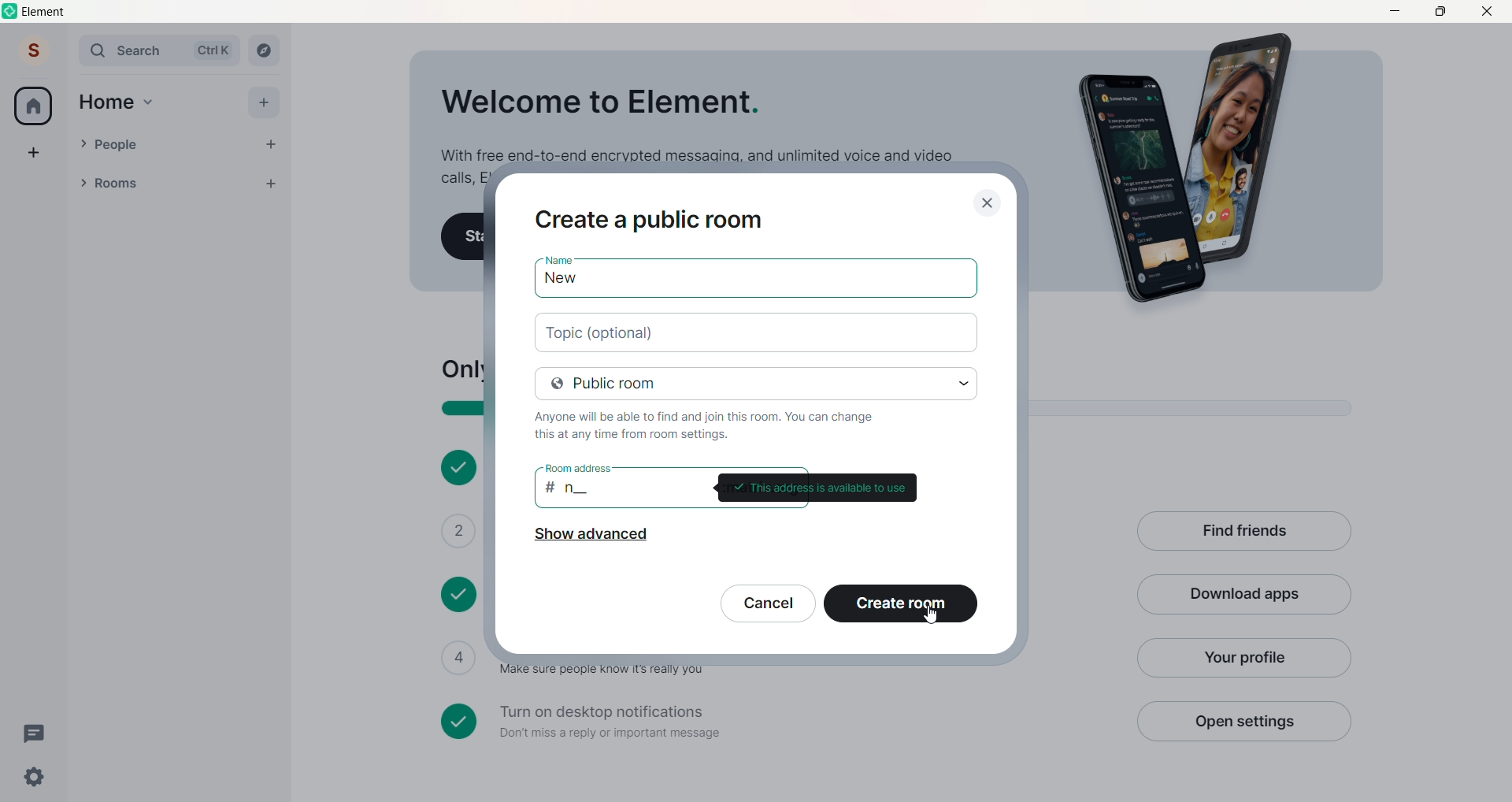  Describe the element at coordinates (35, 777) in the screenshot. I see `Quick Settings` at that location.